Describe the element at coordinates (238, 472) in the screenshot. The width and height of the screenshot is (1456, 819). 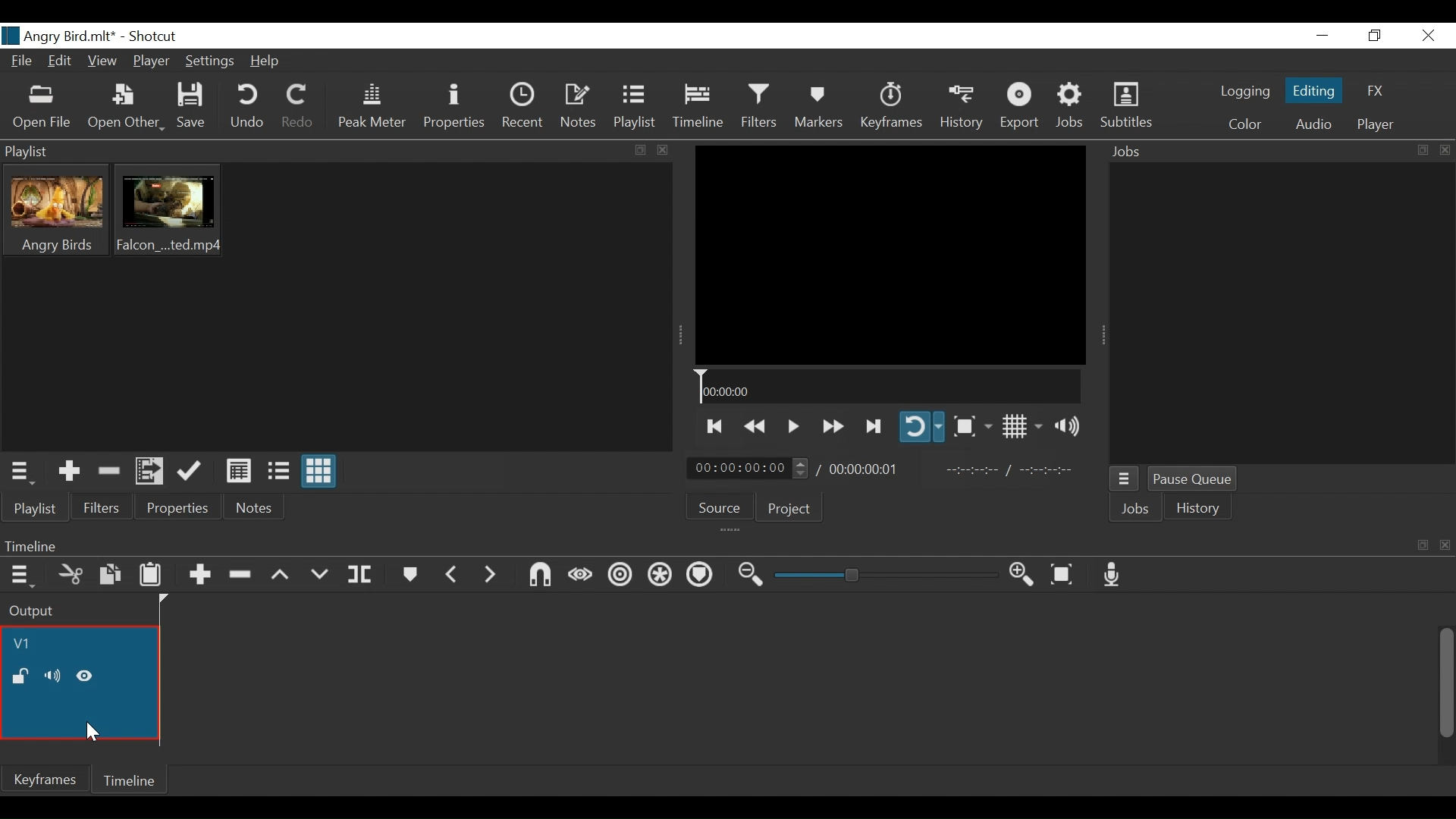
I see `View as Detail` at that location.